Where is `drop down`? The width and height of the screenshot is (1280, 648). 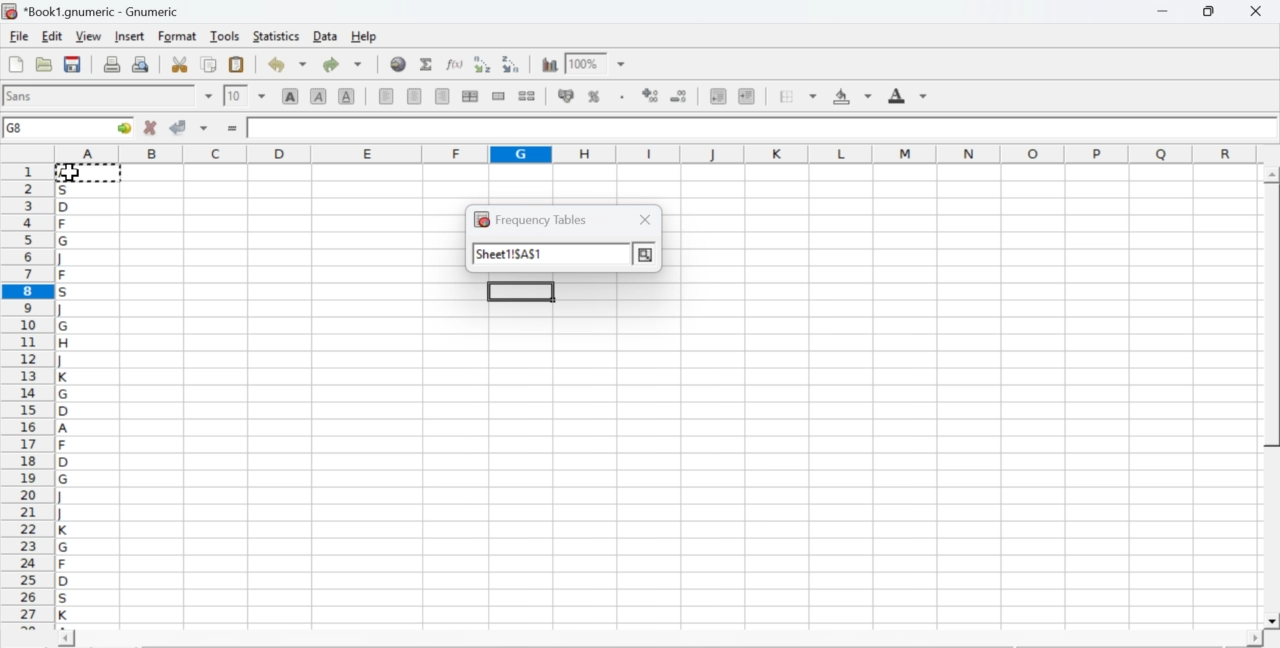
drop down is located at coordinates (262, 95).